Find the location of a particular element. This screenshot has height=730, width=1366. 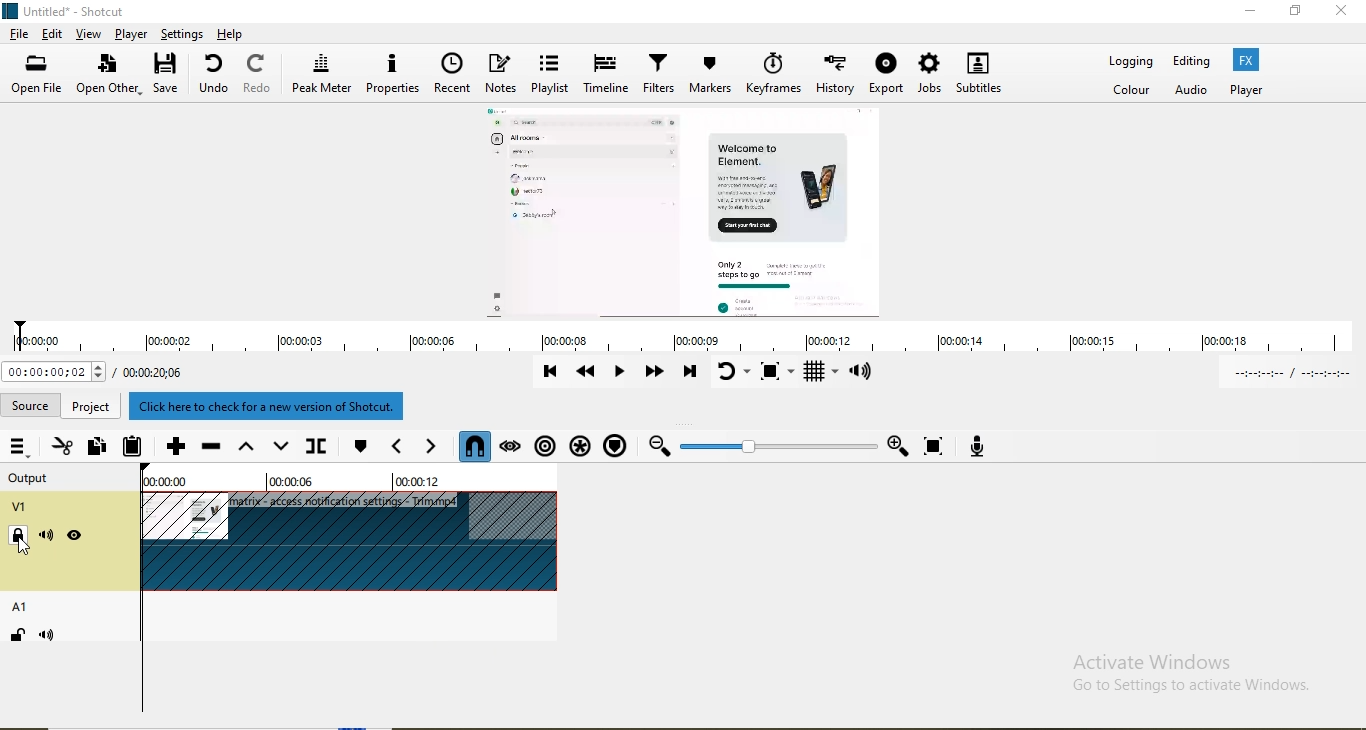

History is located at coordinates (838, 76).